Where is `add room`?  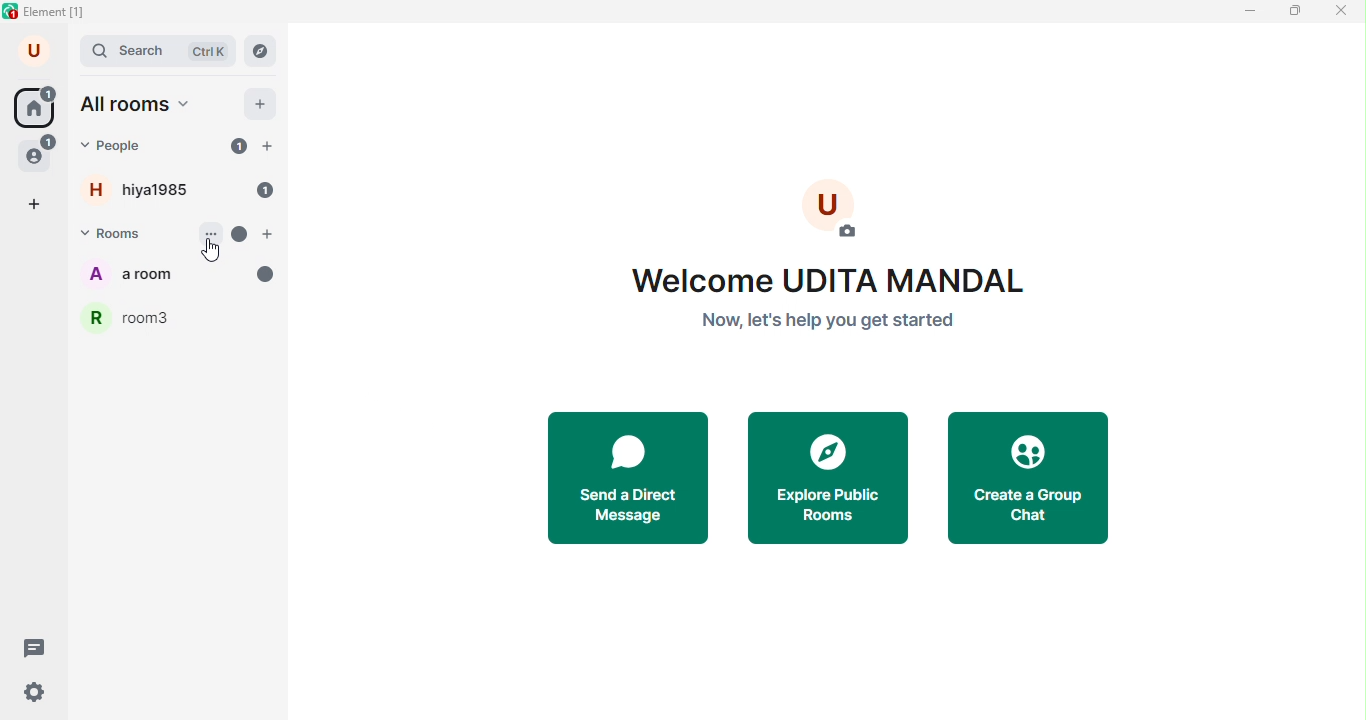
add room is located at coordinates (270, 236).